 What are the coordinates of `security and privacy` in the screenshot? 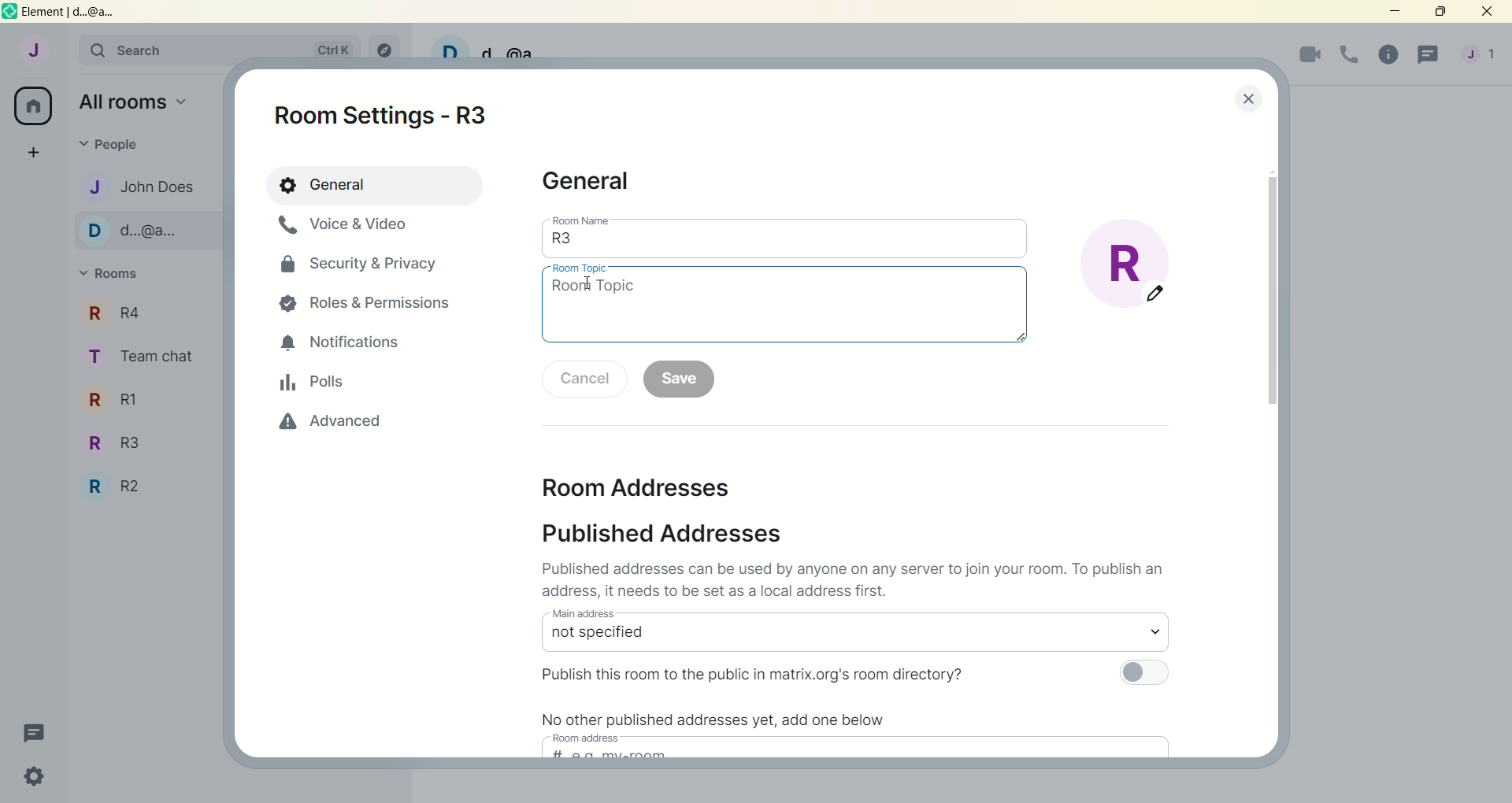 It's located at (355, 264).